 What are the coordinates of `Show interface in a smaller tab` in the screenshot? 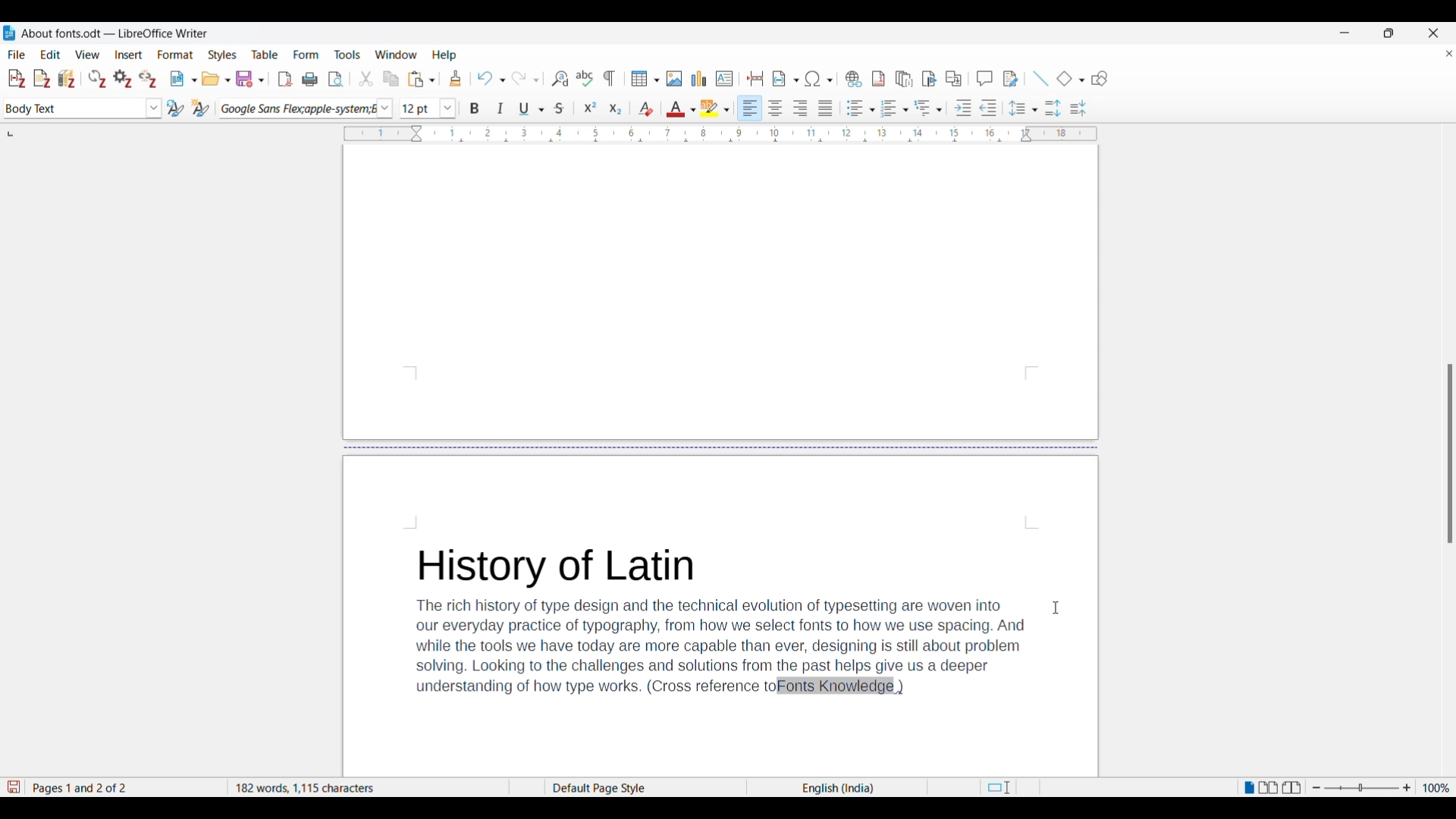 It's located at (1389, 33).